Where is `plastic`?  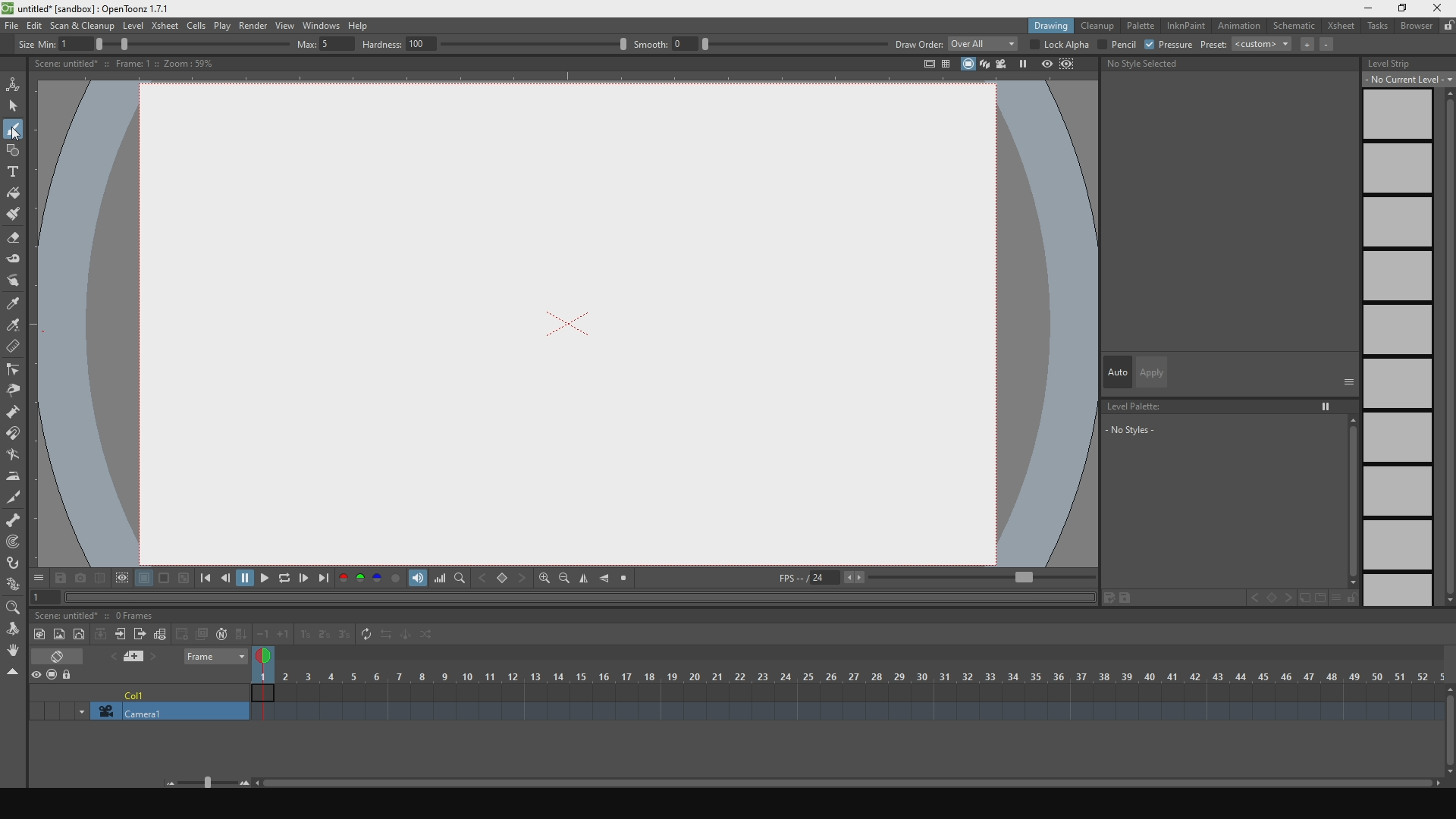 plastic is located at coordinates (14, 586).